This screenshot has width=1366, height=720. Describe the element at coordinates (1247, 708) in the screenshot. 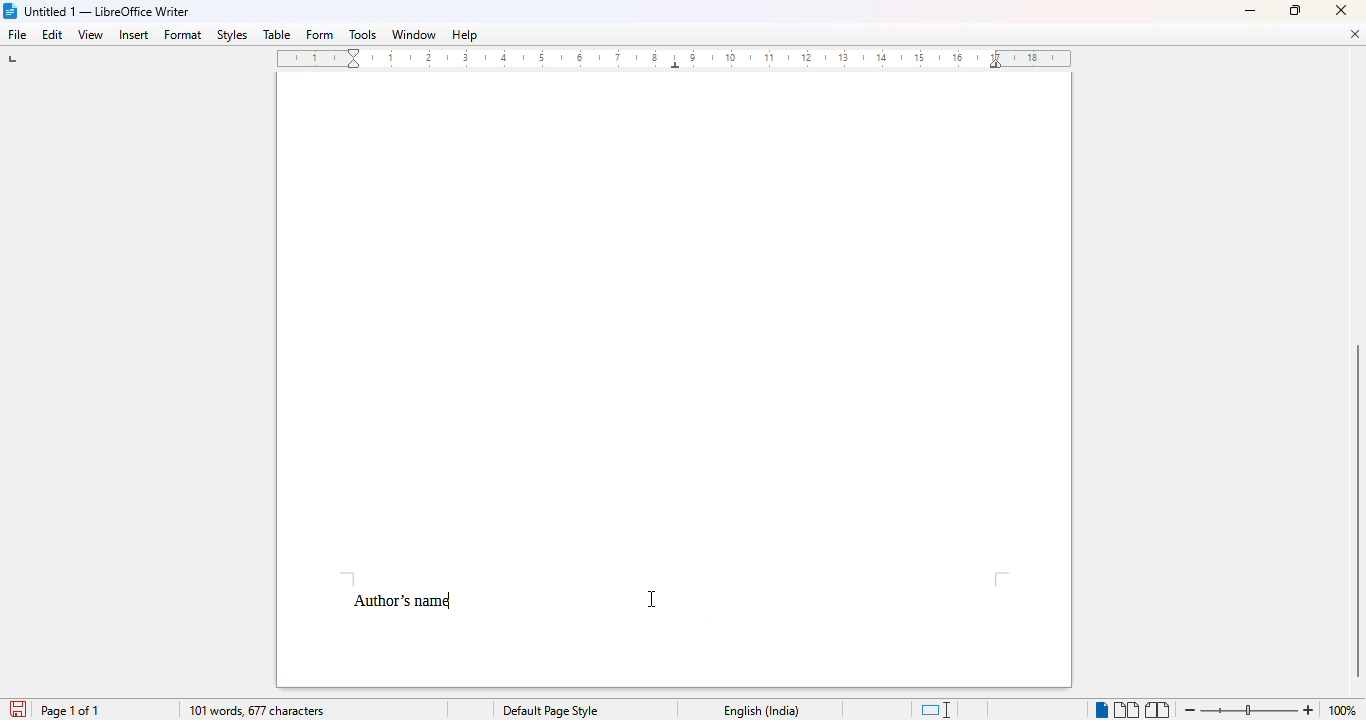

I see `change zoom level` at that location.